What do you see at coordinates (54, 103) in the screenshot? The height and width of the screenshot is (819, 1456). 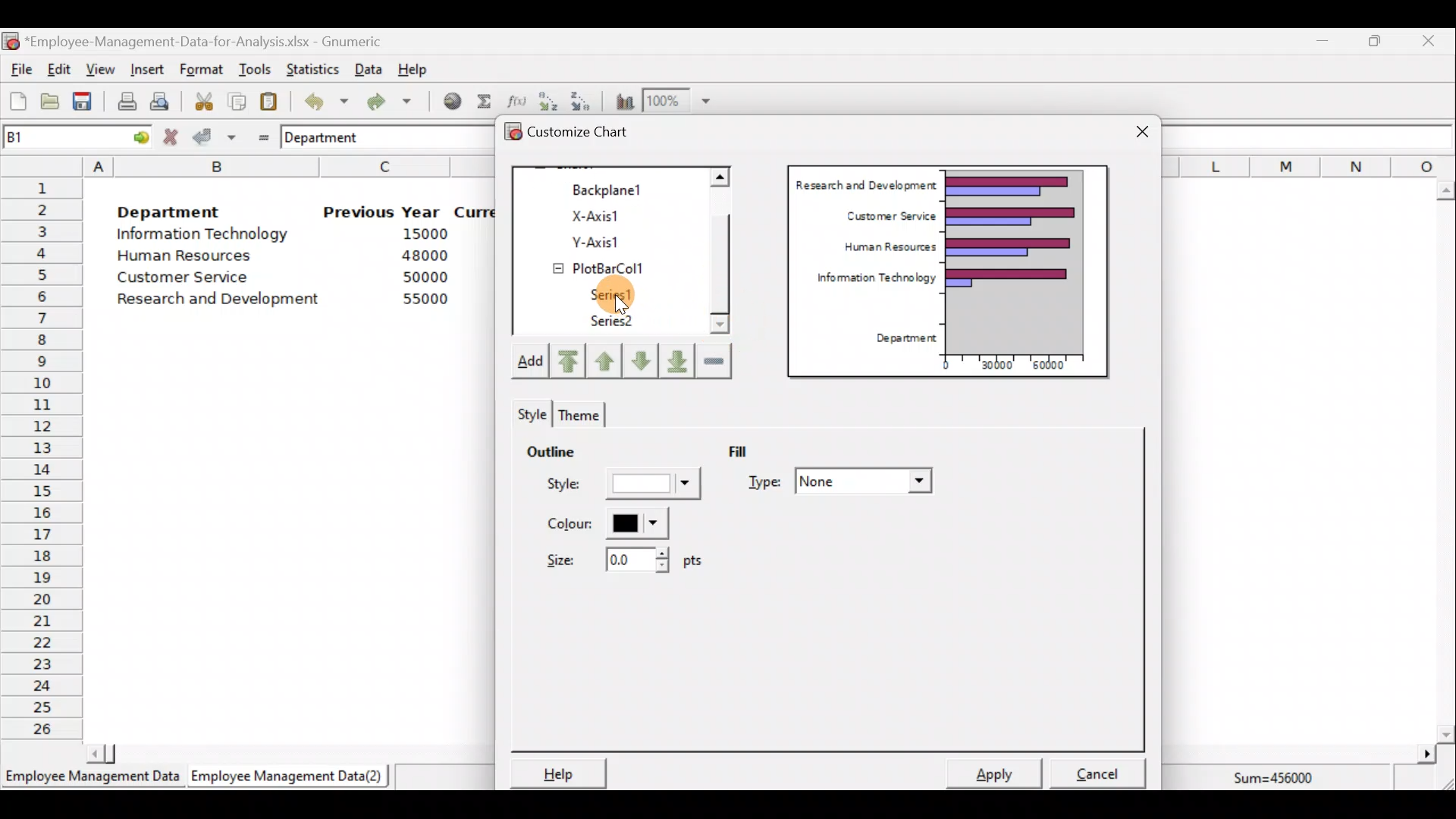 I see `Open a file` at bounding box center [54, 103].